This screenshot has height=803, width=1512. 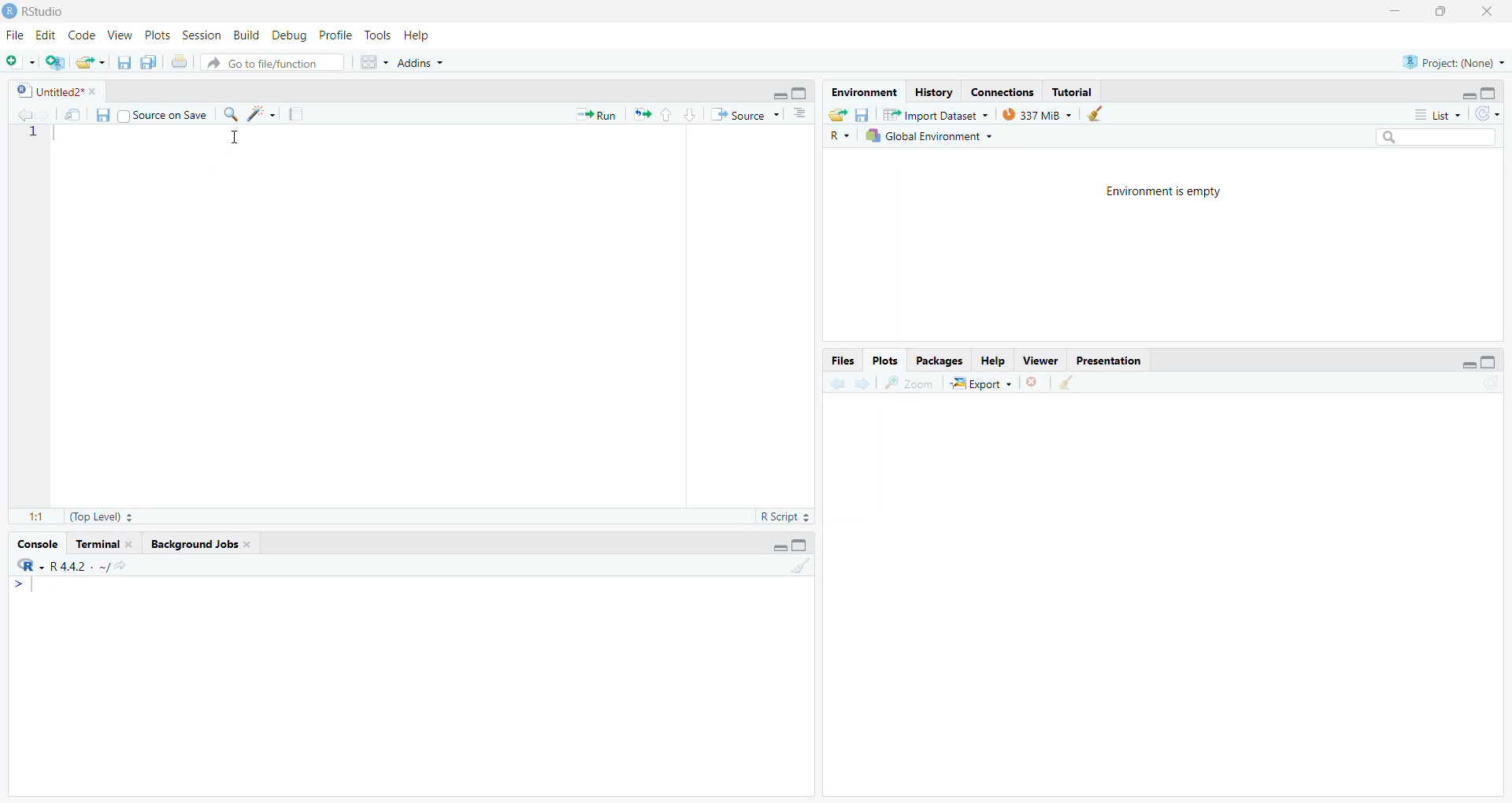 What do you see at coordinates (802, 91) in the screenshot?
I see `hide console` at bounding box center [802, 91].